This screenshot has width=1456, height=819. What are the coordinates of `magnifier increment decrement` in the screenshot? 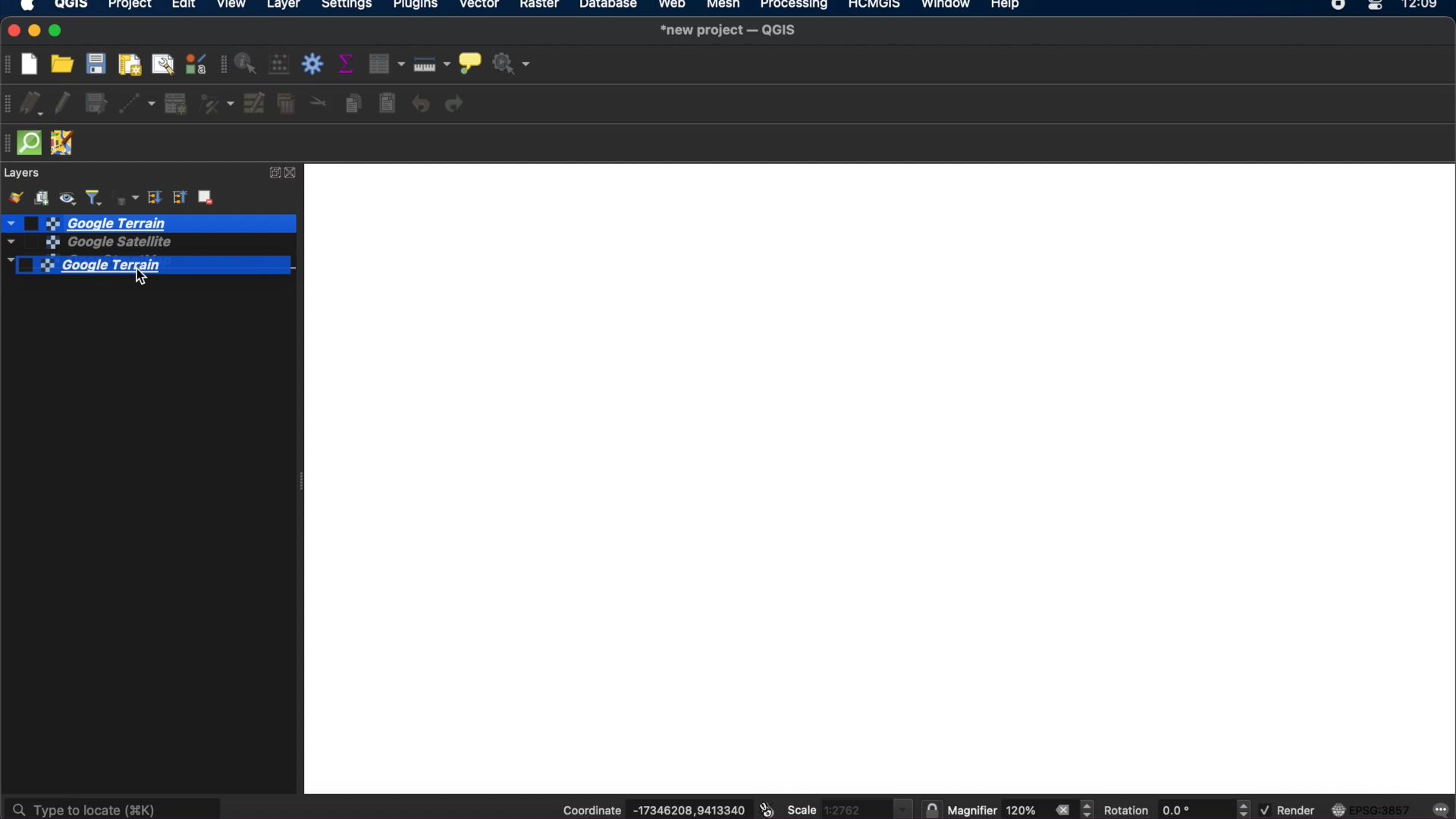 It's located at (1089, 808).